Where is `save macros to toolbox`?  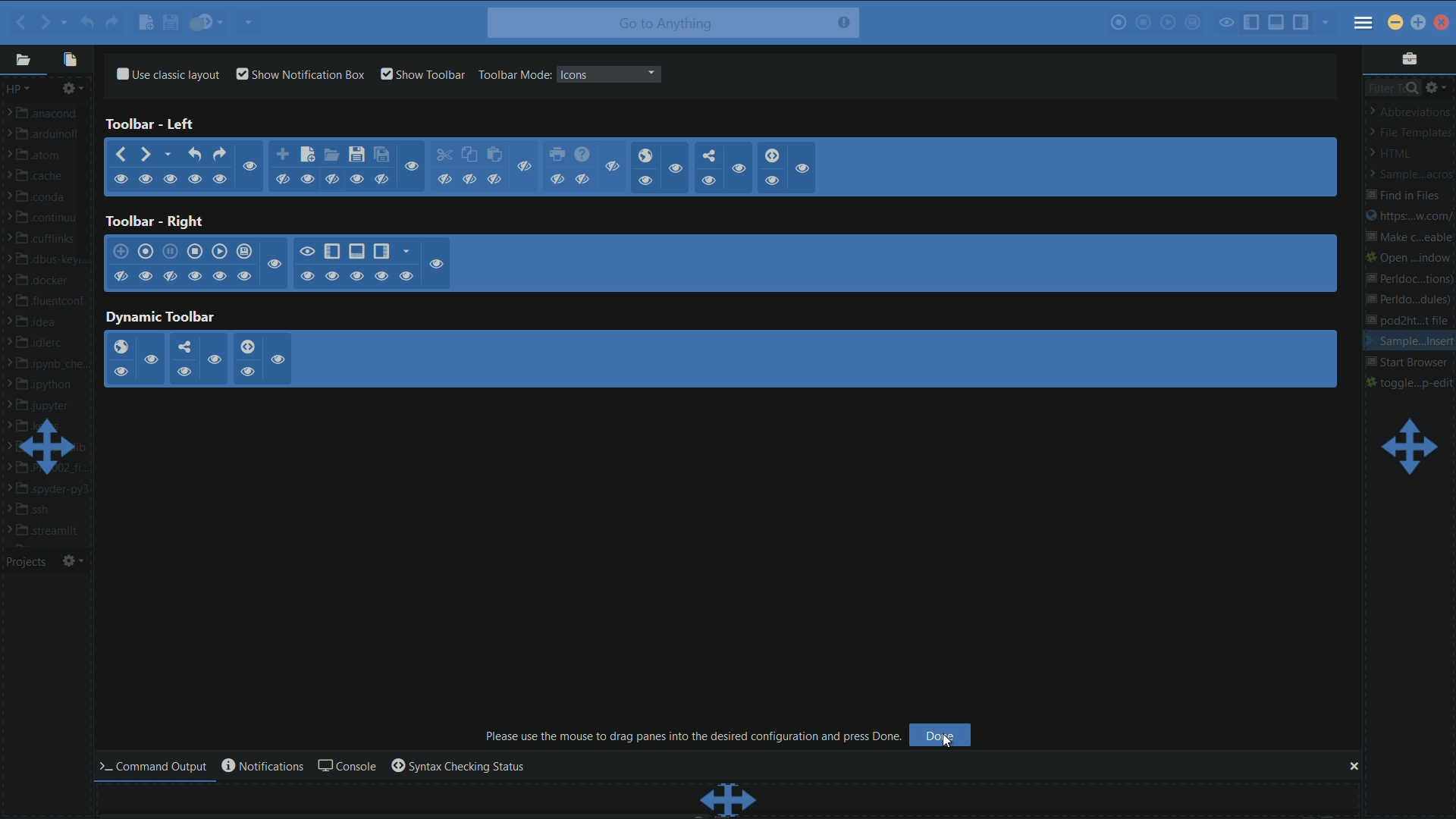 save macros to toolbox is located at coordinates (1194, 22).